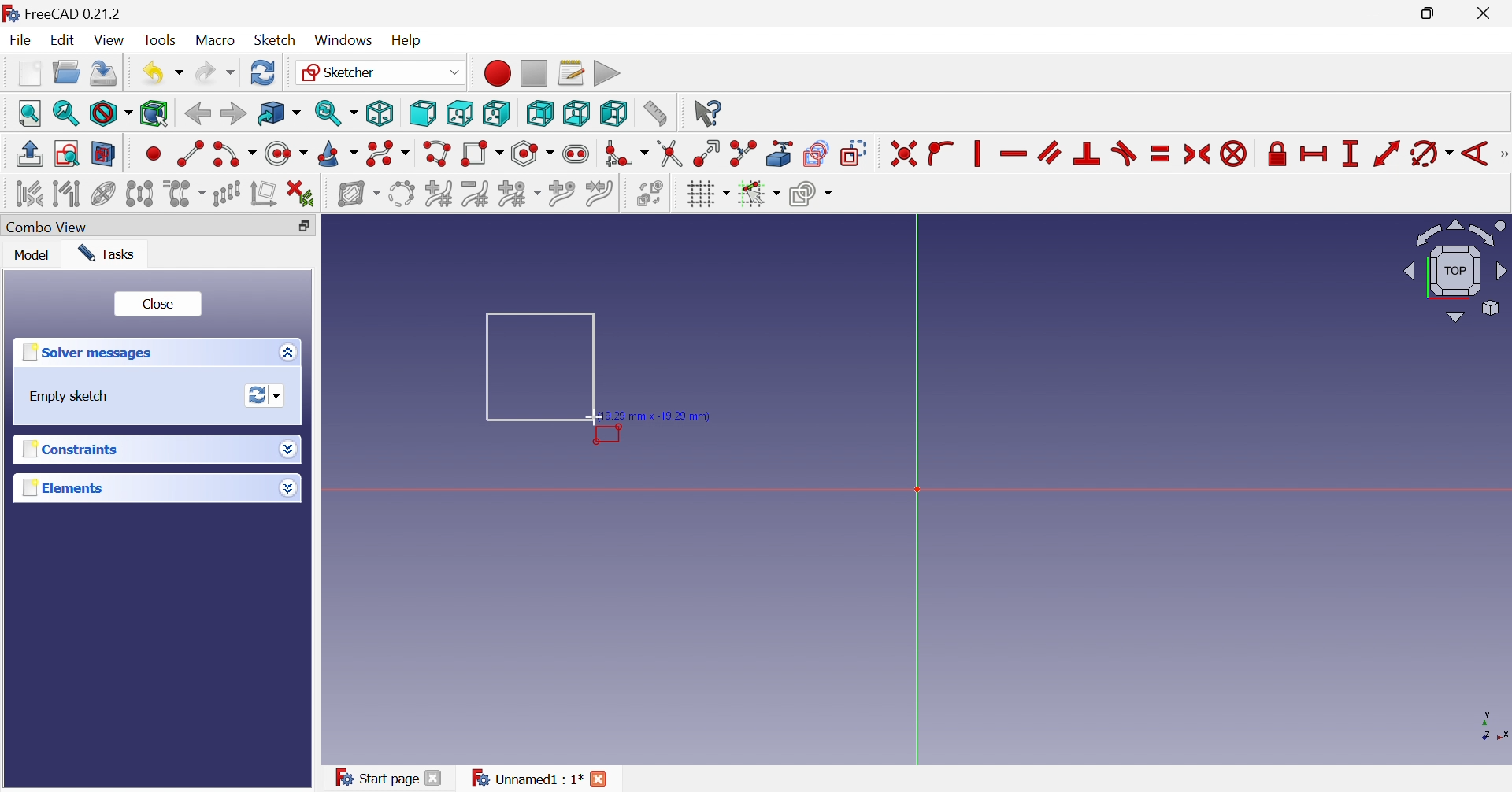 The height and width of the screenshot is (792, 1512). I want to click on 19.29mm, -19.29mm, so click(658, 416).